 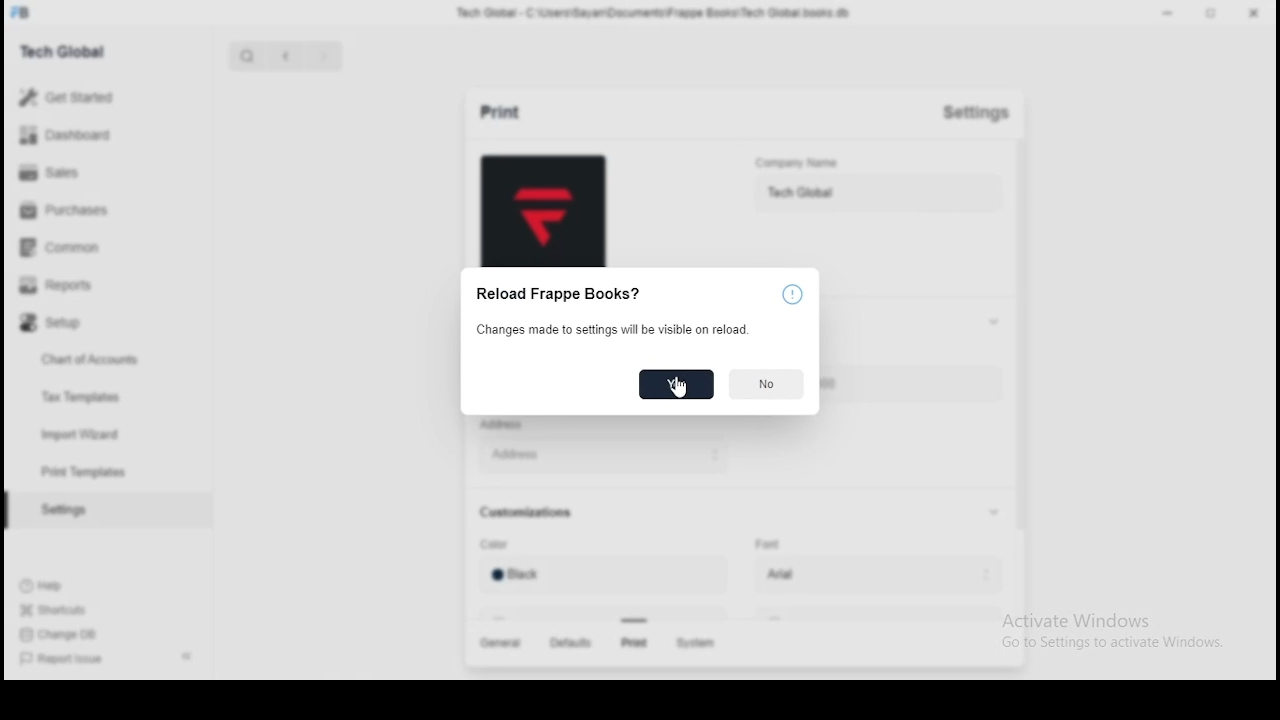 What do you see at coordinates (246, 57) in the screenshot?
I see `search` at bounding box center [246, 57].